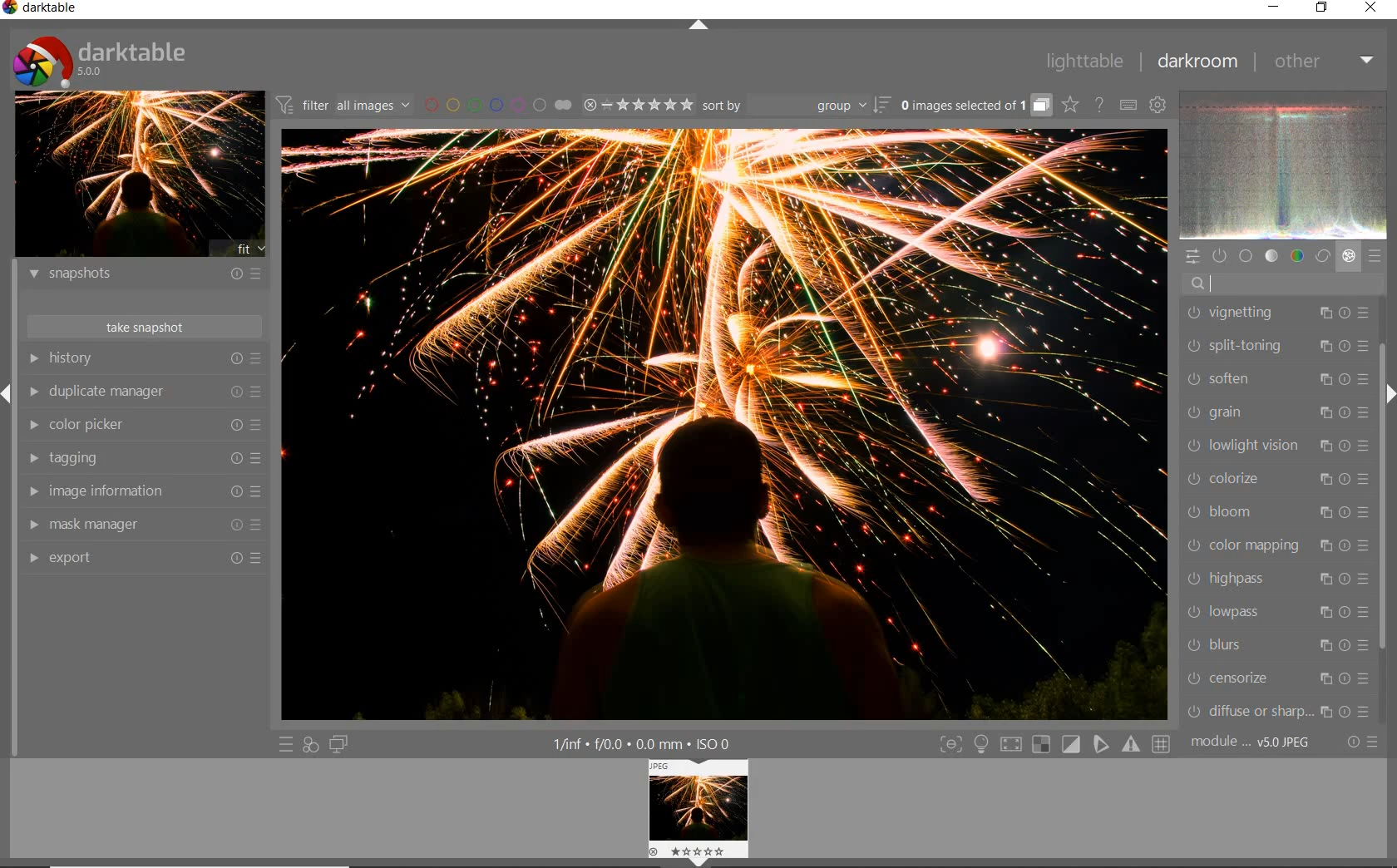 Image resolution: width=1397 pixels, height=868 pixels. I want to click on quick access panel, so click(1193, 255).